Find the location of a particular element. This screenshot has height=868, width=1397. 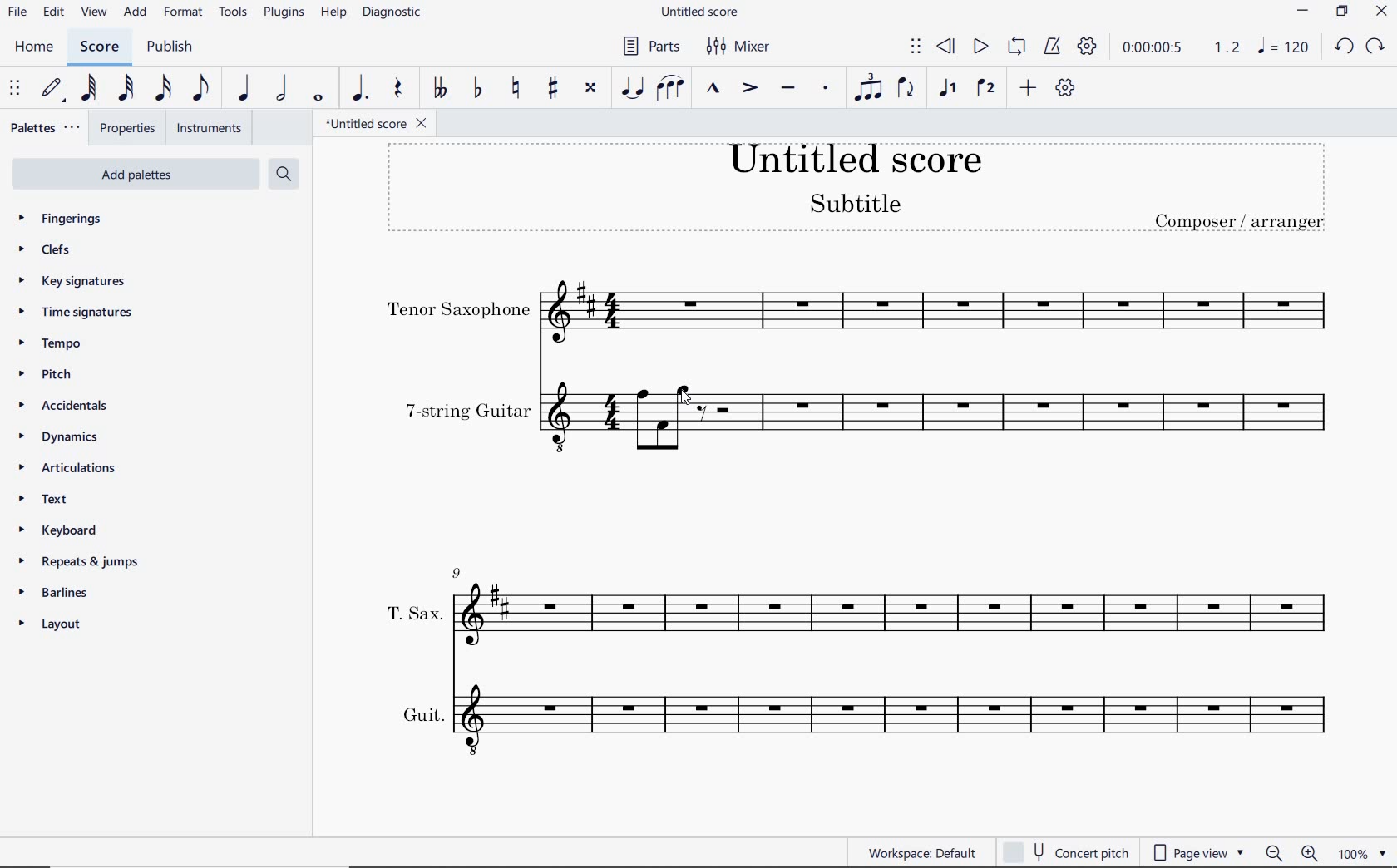

KEY SIGNATURES is located at coordinates (80, 279).